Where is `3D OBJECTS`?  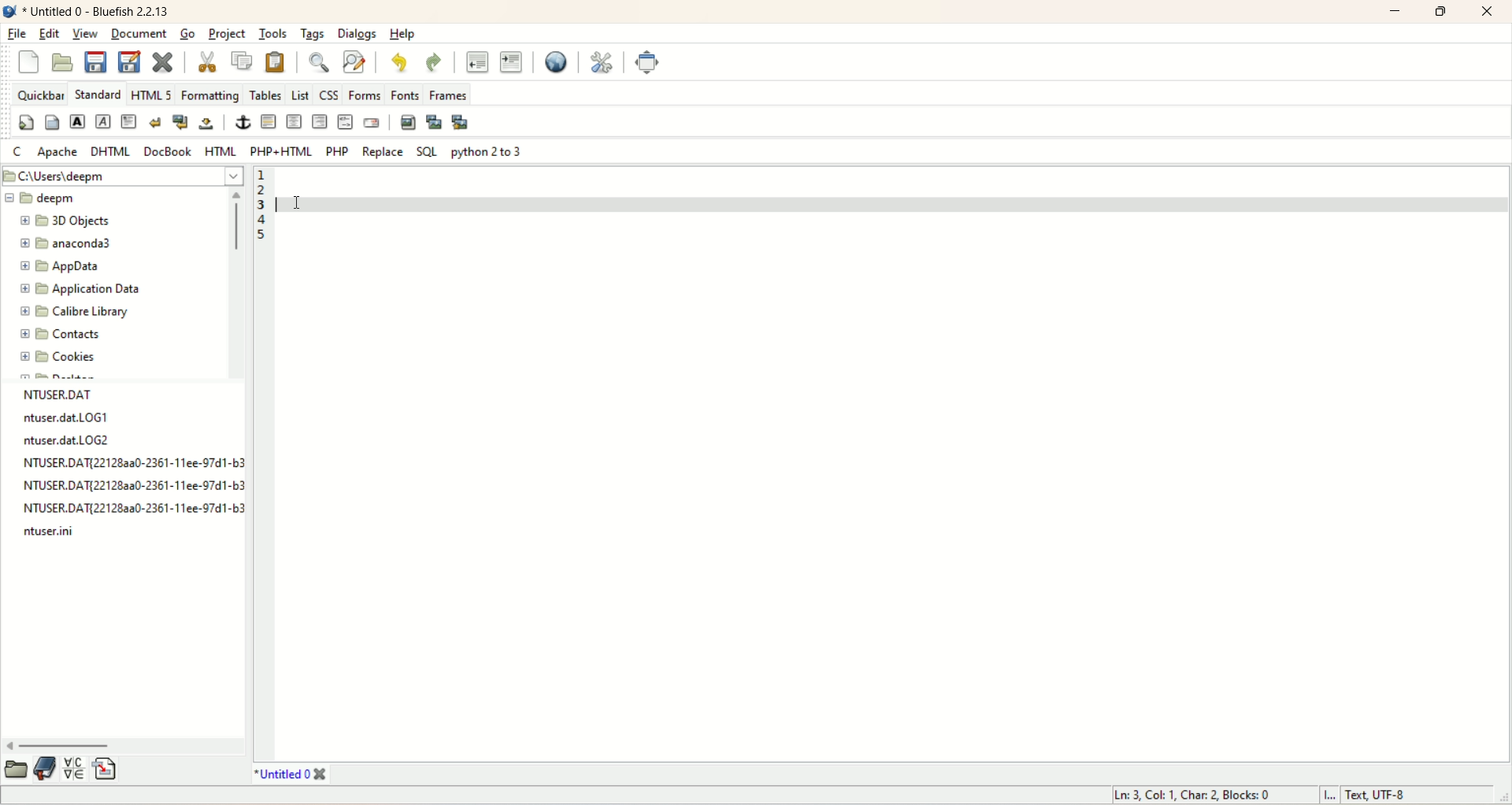
3D OBJECTS is located at coordinates (71, 221).